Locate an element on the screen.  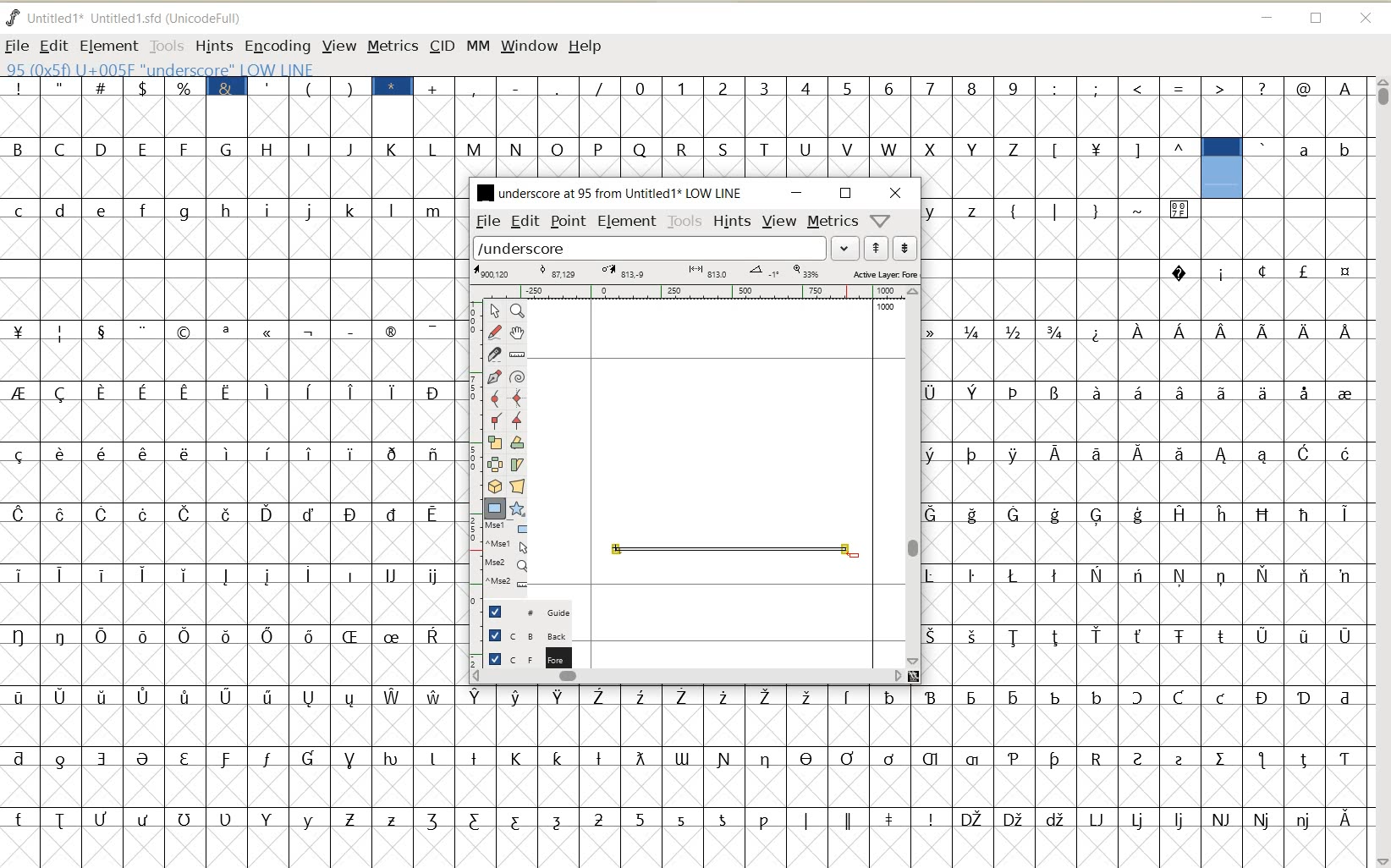
scroll by hand is located at coordinates (519, 332).